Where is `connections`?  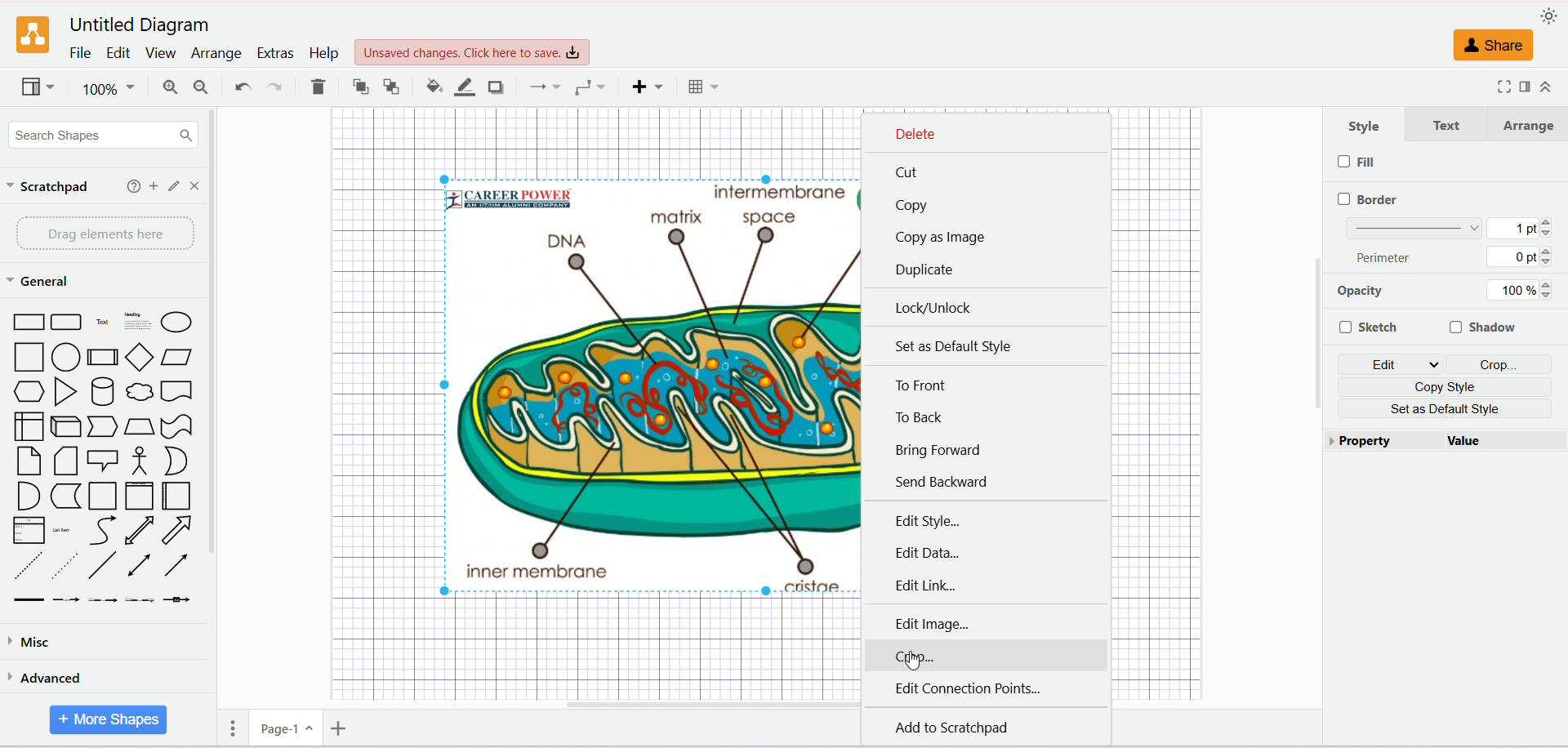 connections is located at coordinates (545, 87).